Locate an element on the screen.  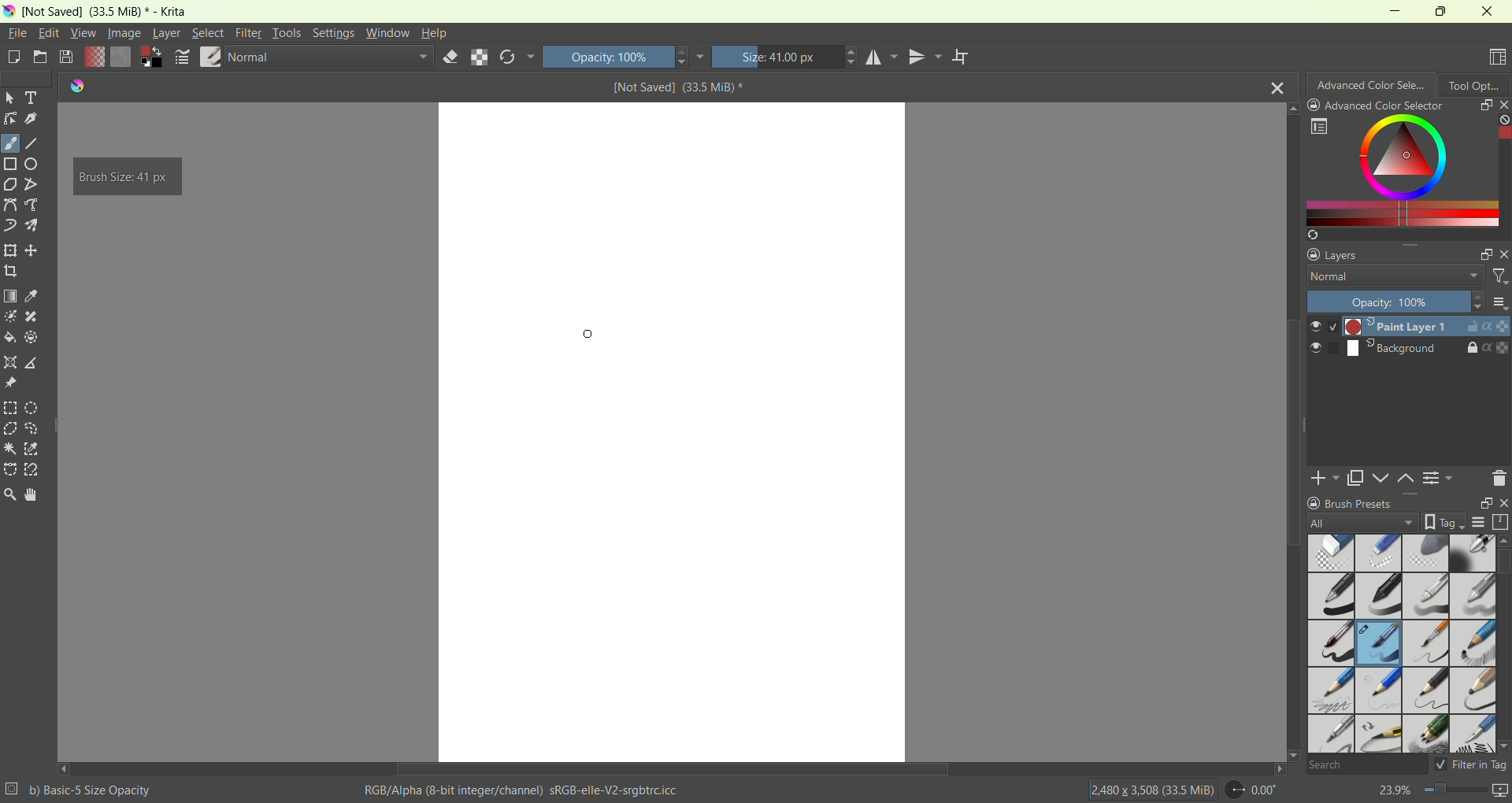
cursor/brush is located at coordinates (592, 331).